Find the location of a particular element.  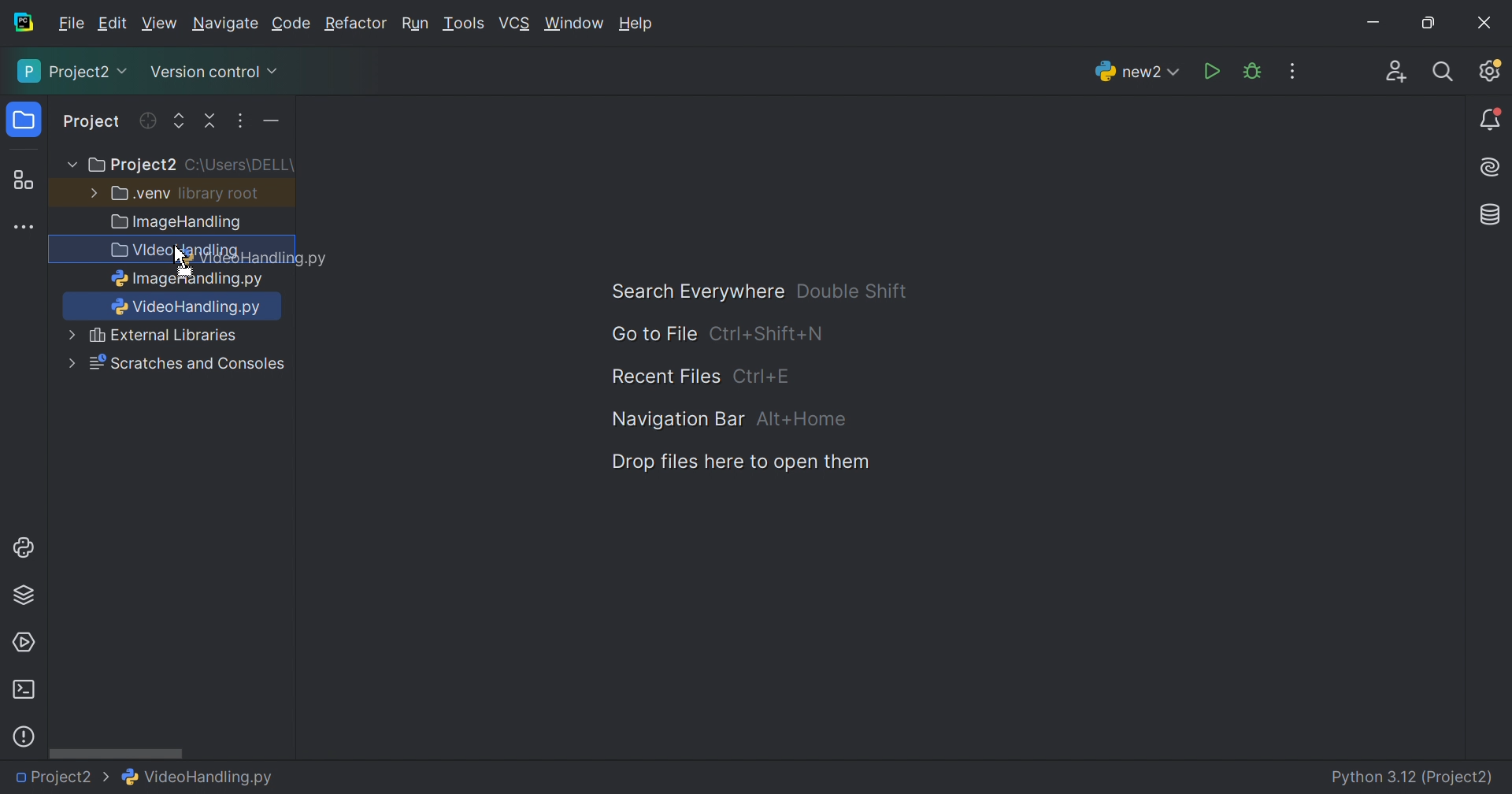

Search everywhere is located at coordinates (1444, 72).